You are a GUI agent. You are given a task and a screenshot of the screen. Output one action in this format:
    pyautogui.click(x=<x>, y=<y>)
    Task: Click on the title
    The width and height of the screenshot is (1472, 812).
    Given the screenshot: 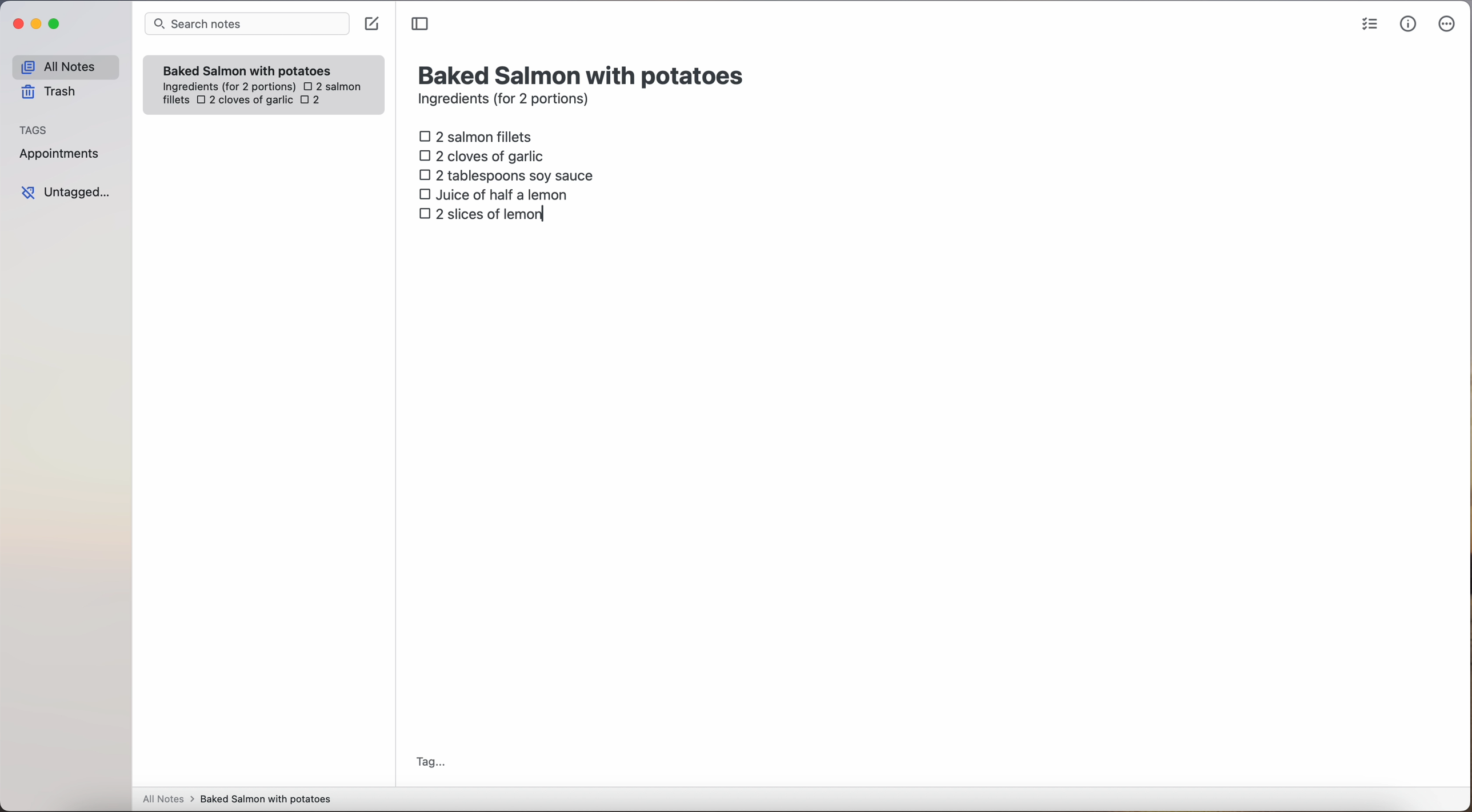 What is the action you would take?
    pyautogui.click(x=583, y=74)
    